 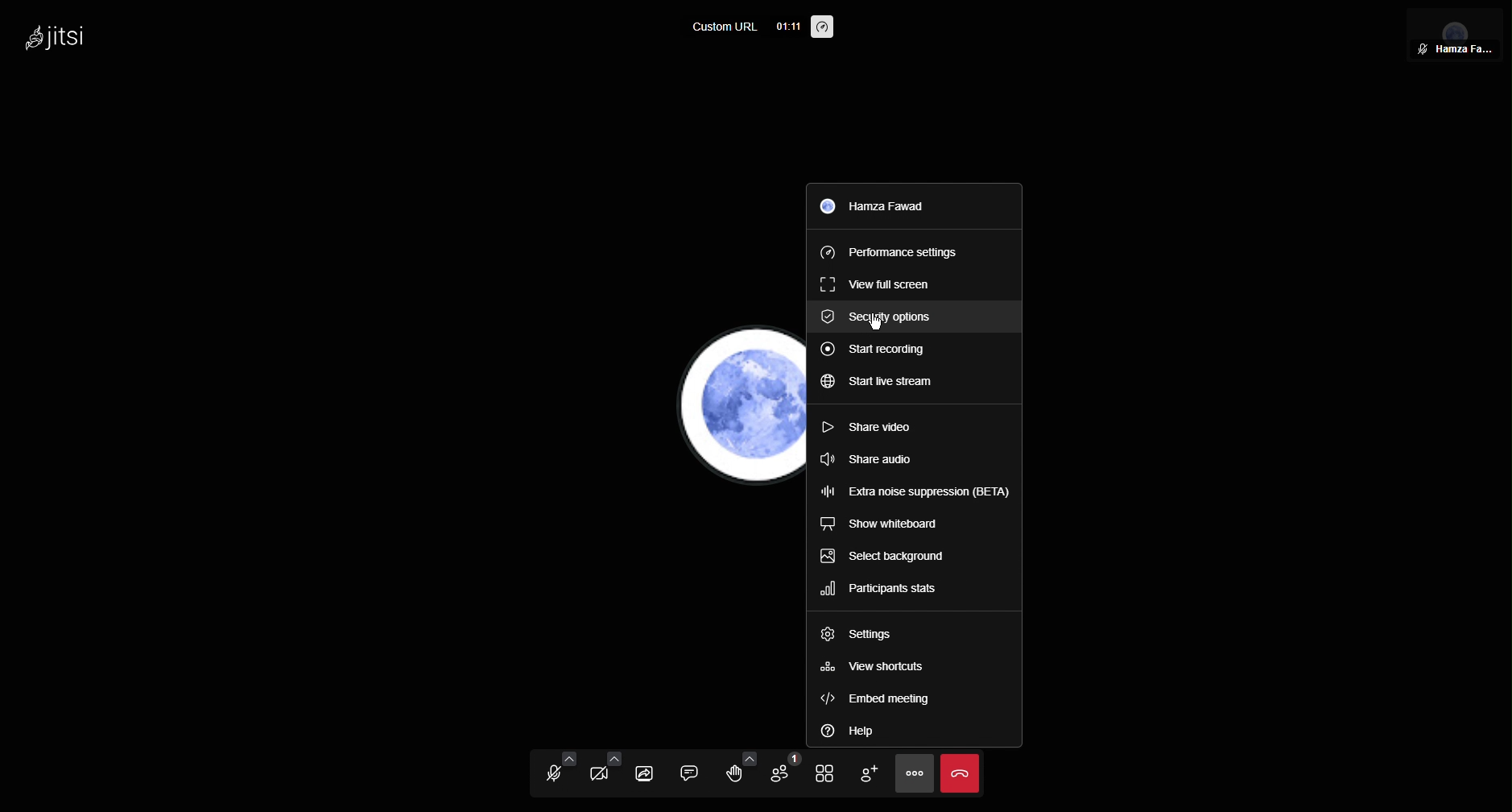 What do you see at coordinates (869, 772) in the screenshot?
I see `Add Participant` at bounding box center [869, 772].